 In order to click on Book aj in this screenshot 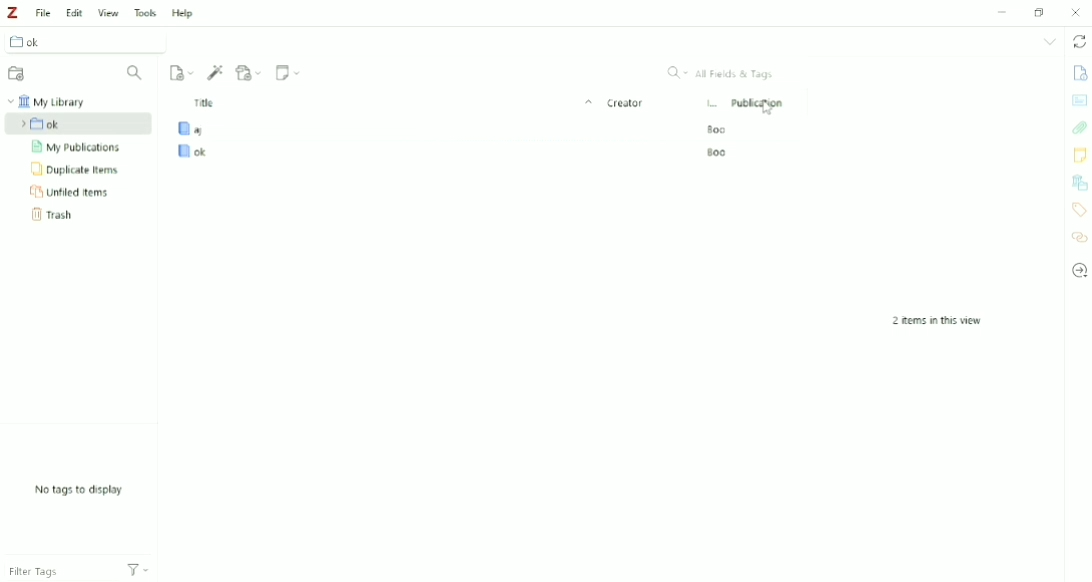, I will do `click(455, 129)`.